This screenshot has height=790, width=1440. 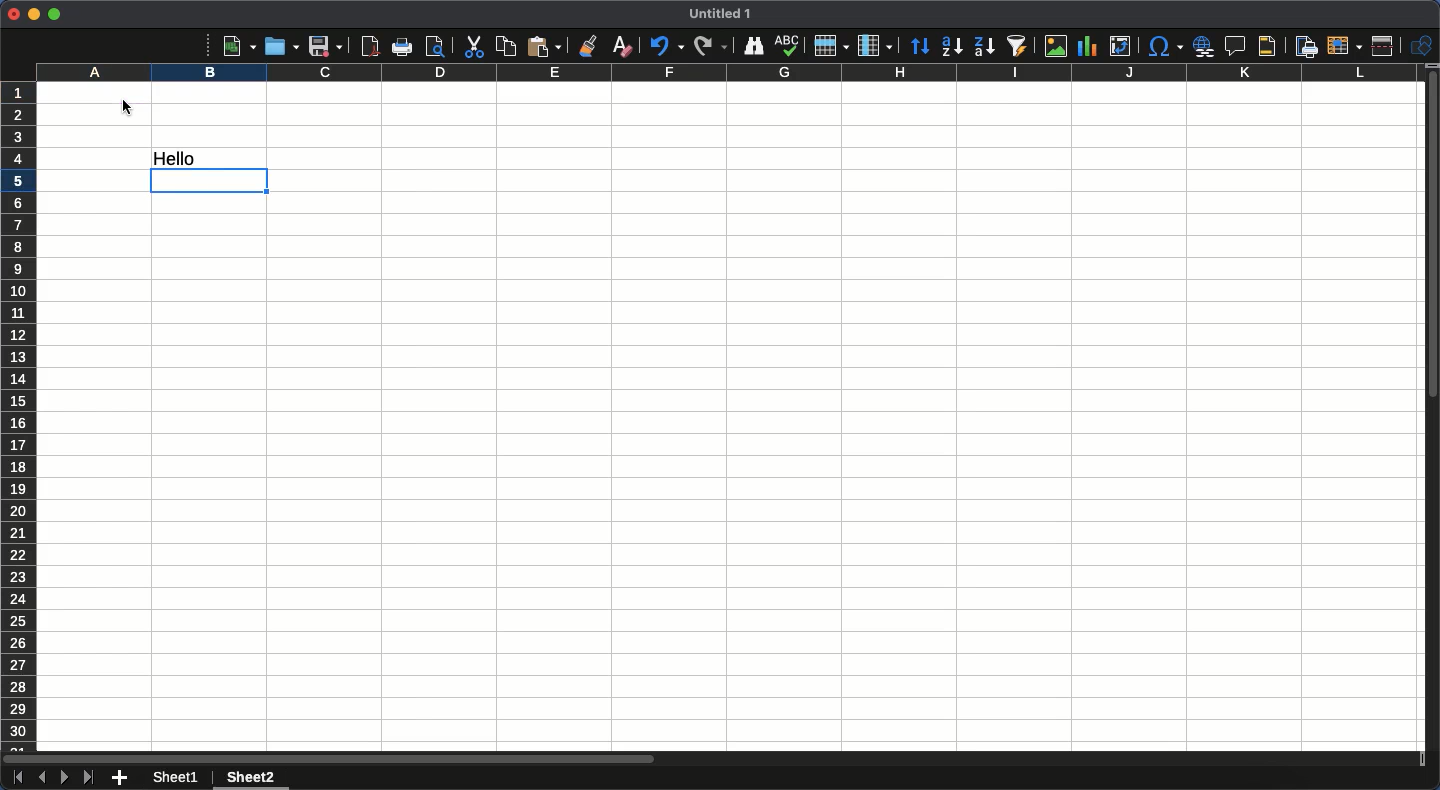 What do you see at coordinates (589, 46) in the screenshot?
I see `Clone formatting` at bounding box center [589, 46].